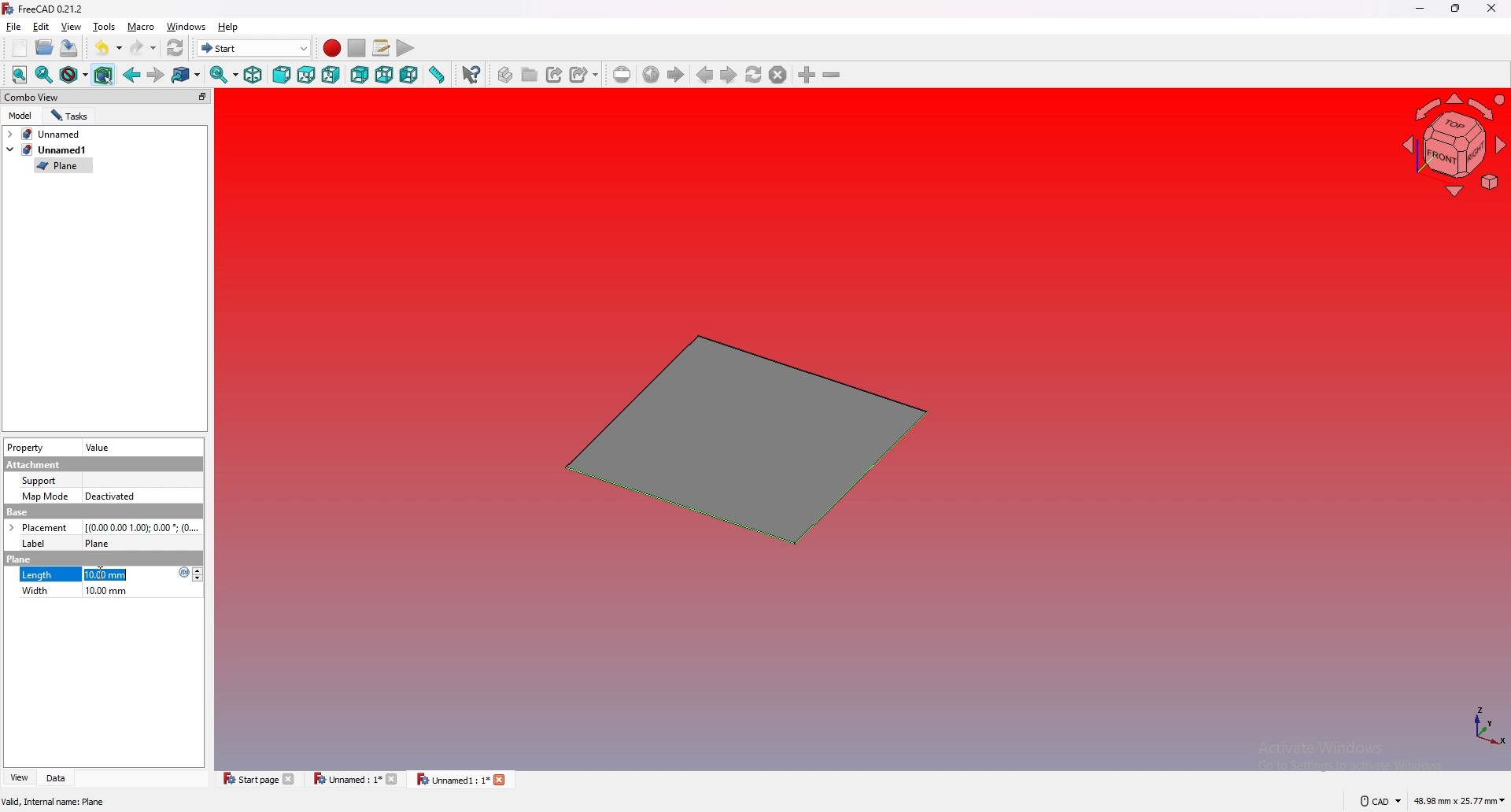 This screenshot has width=1511, height=812. What do you see at coordinates (156, 76) in the screenshot?
I see `forward` at bounding box center [156, 76].